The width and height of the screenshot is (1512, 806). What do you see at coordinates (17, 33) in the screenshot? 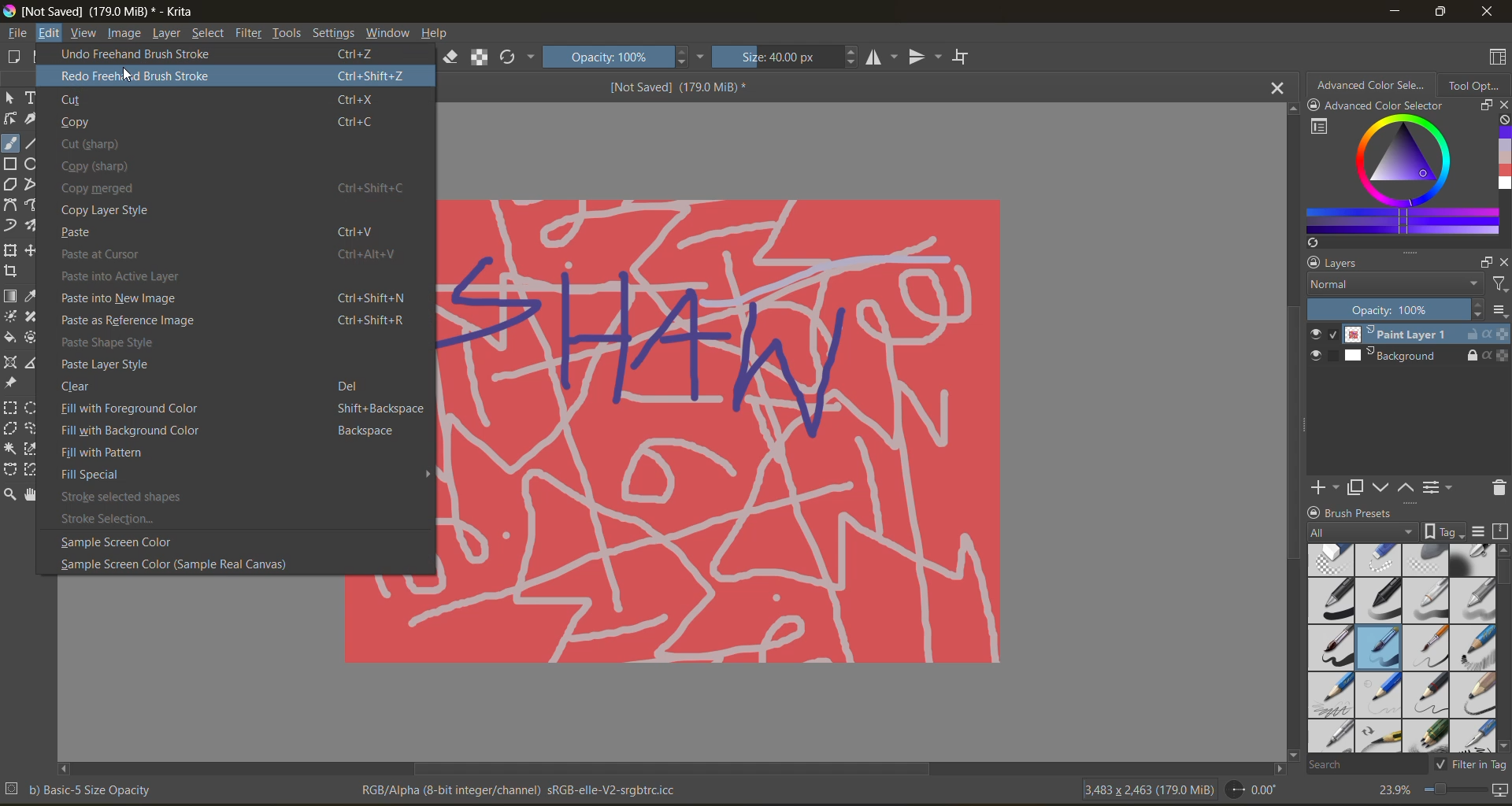
I see `file` at bounding box center [17, 33].